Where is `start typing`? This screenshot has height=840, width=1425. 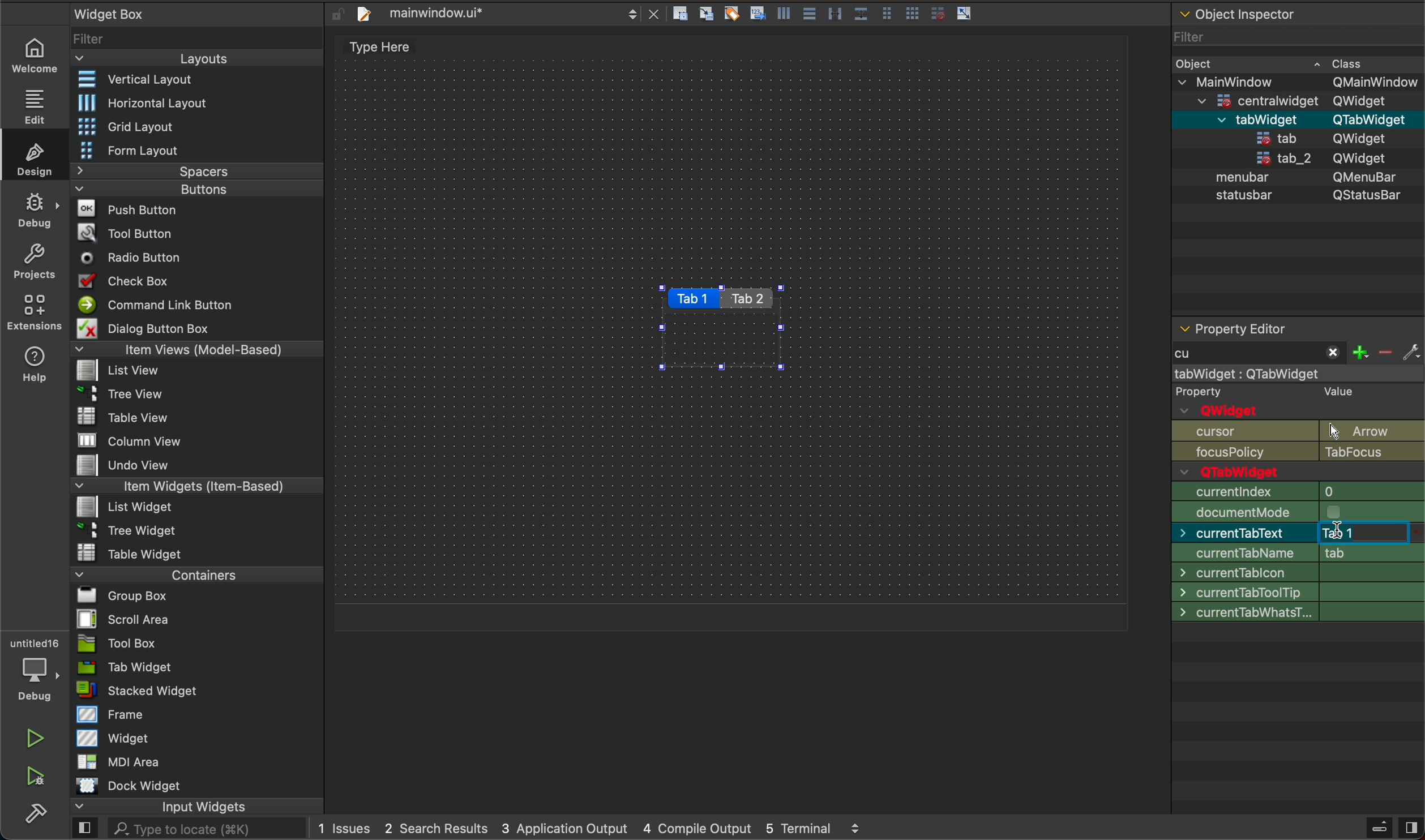 start typing is located at coordinates (1264, 355).